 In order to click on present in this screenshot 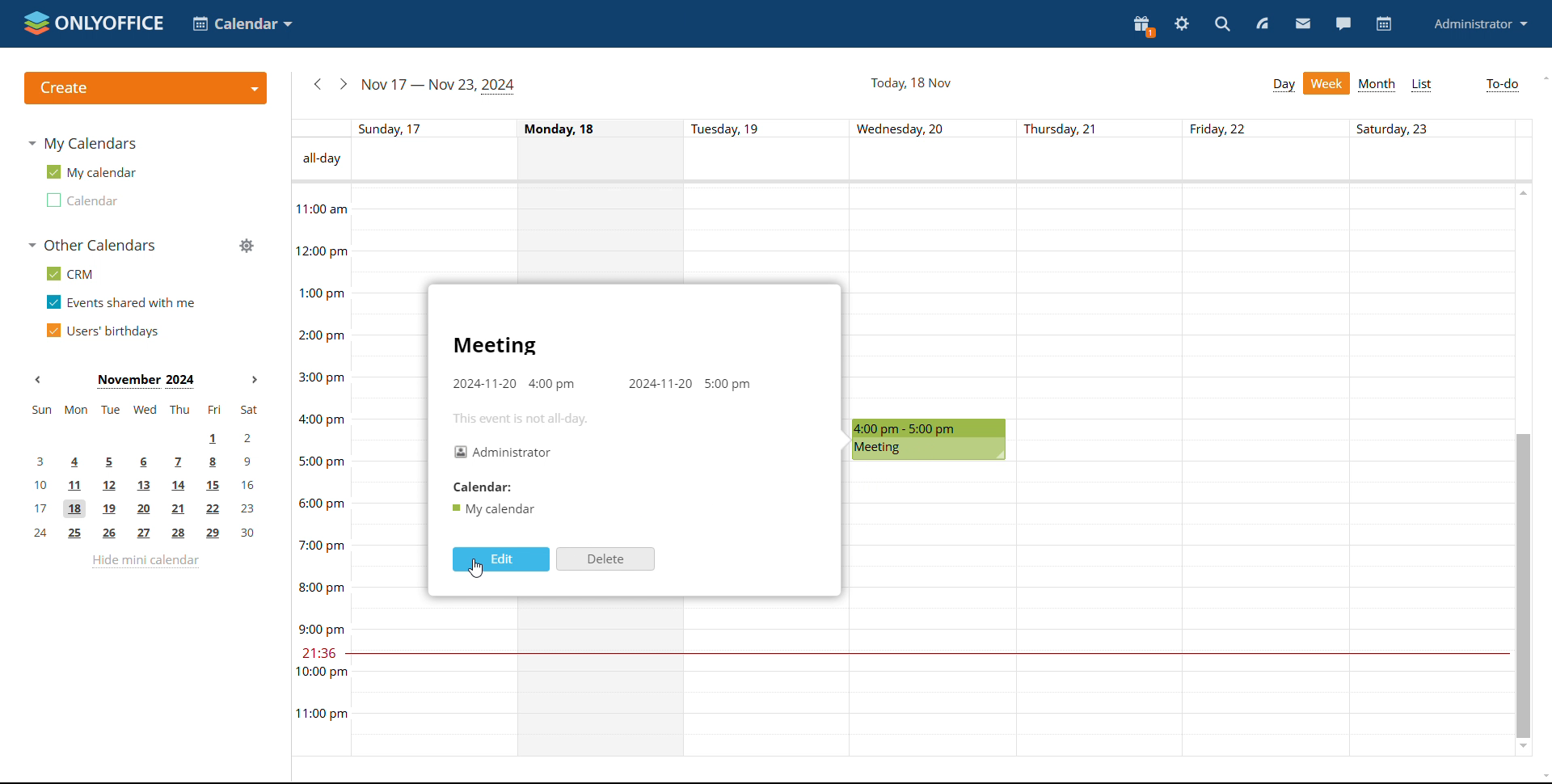, I will do `click(1144, 25)`.